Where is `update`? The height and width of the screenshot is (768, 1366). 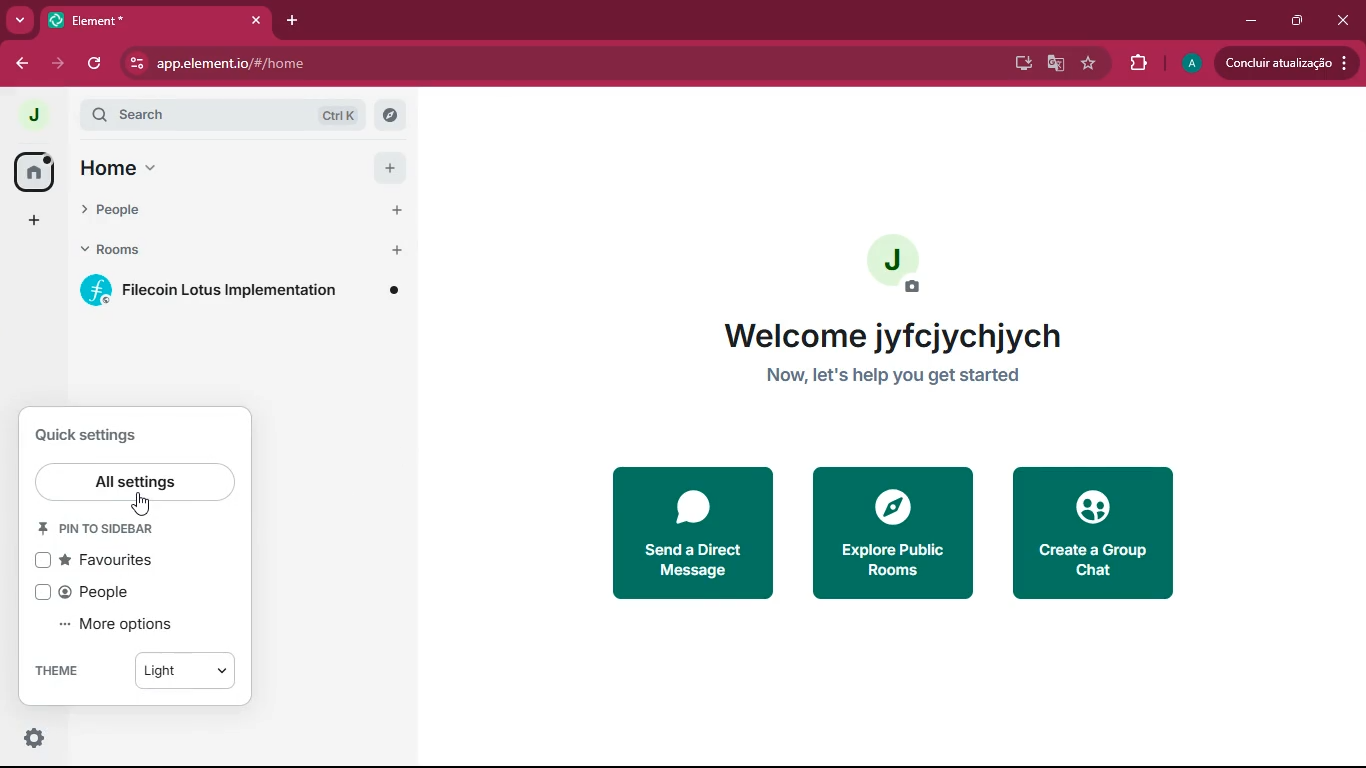 update is located at coordinates (1286, 61).